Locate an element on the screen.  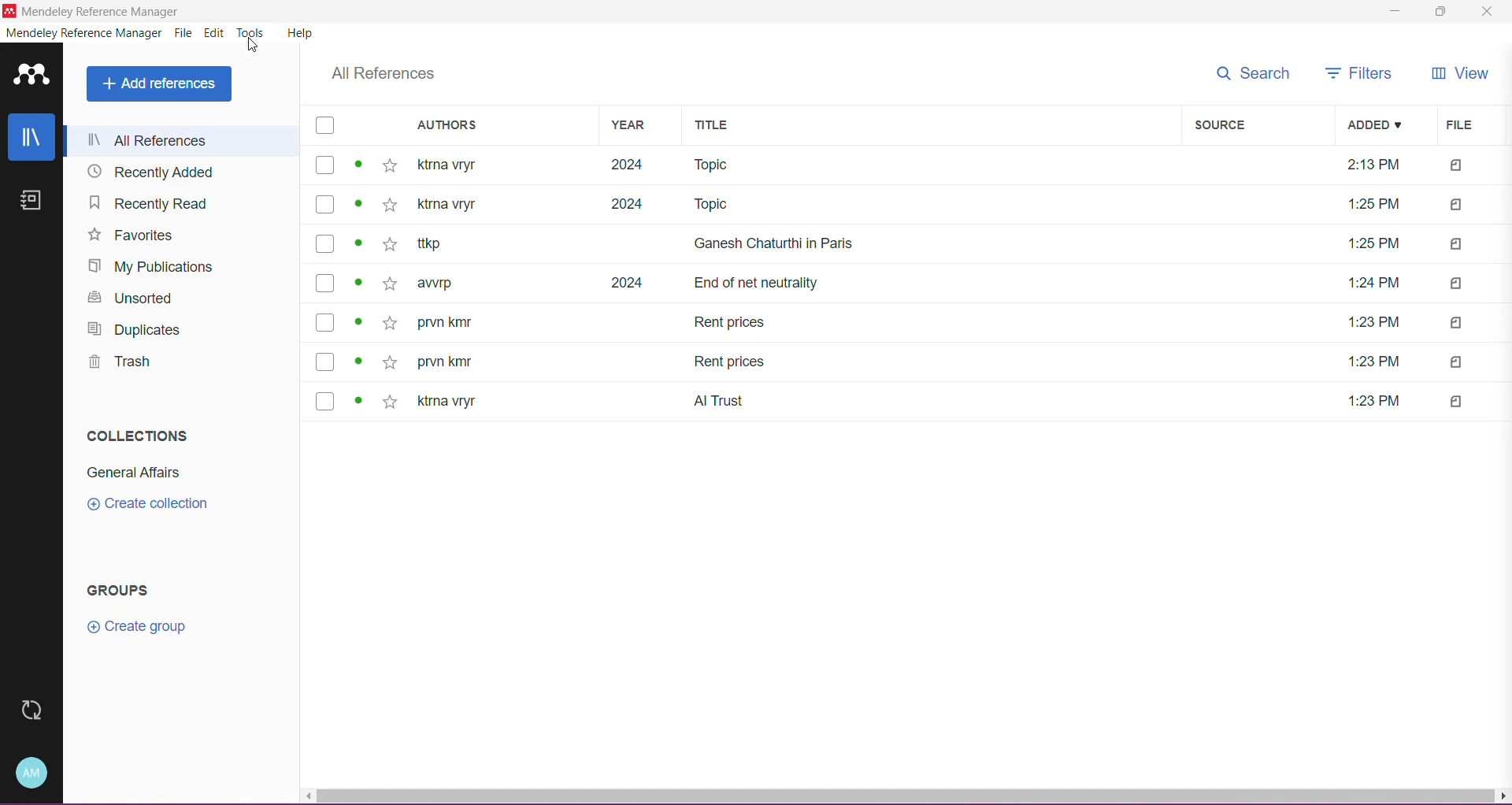
author is located at coordinates (435, 284).